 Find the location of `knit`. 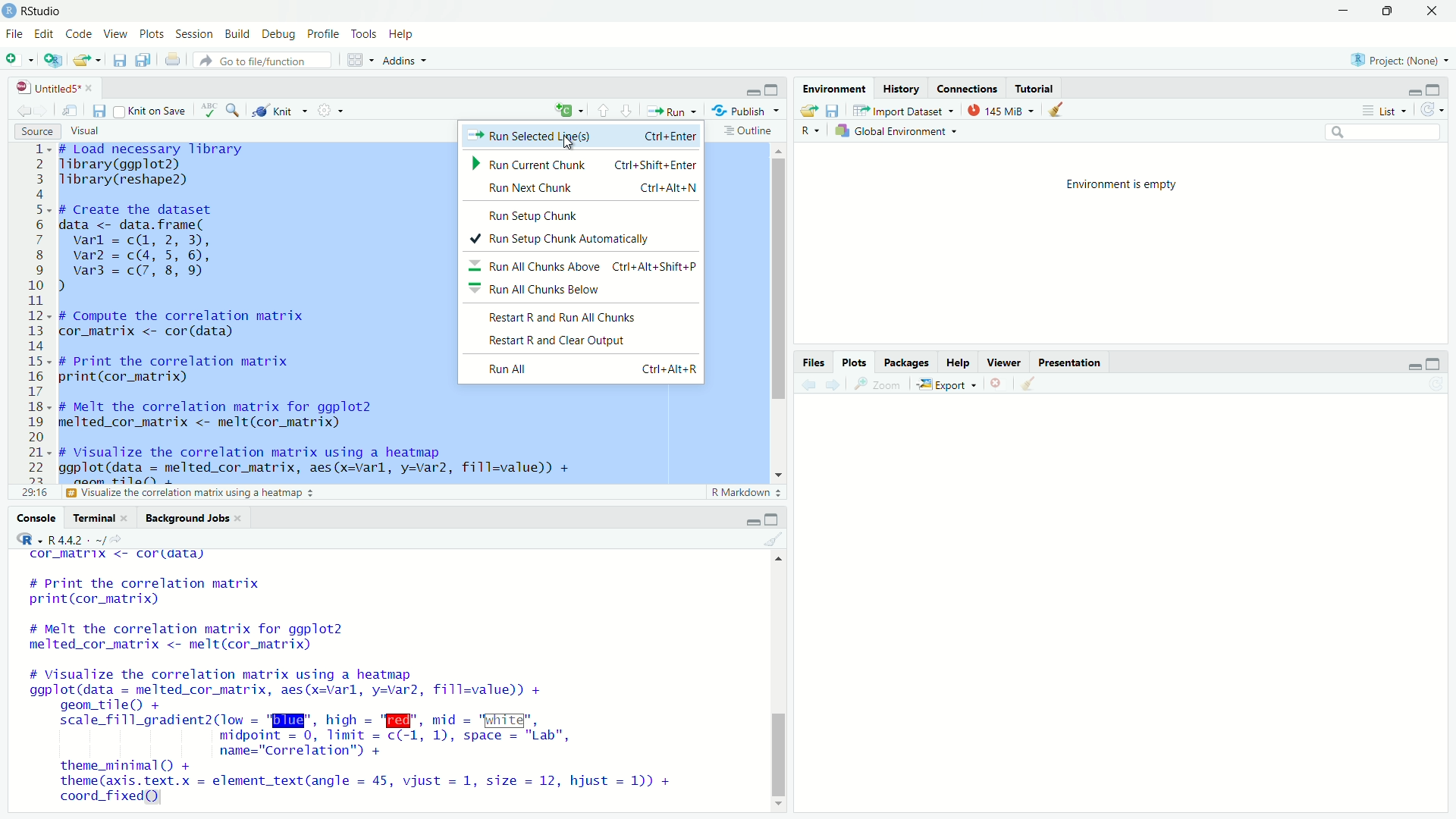

knit is located at coordinates (275, 111).